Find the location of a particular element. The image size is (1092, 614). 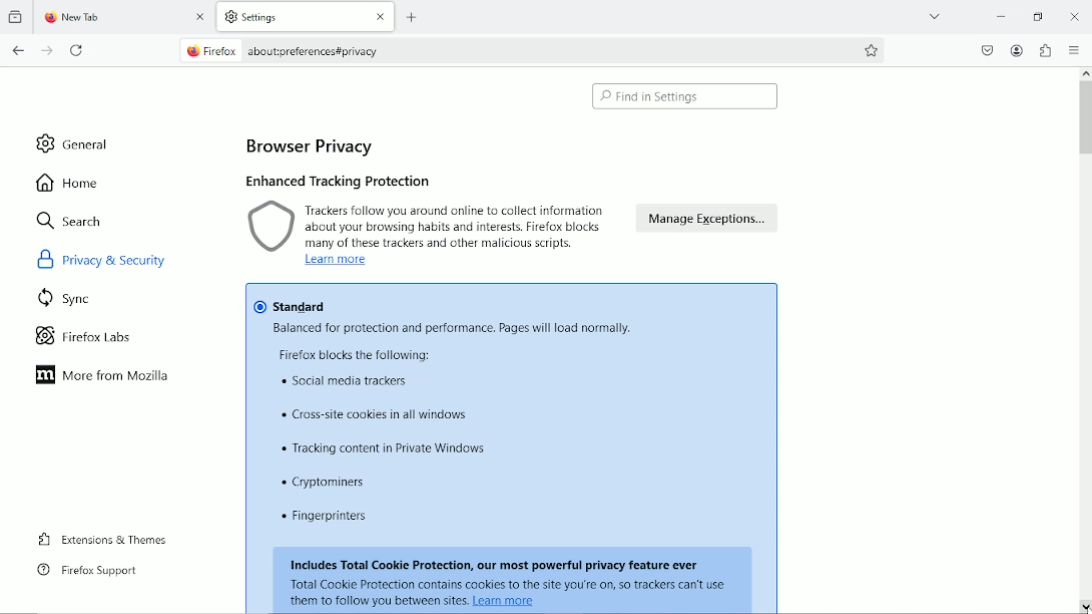

go back is located at coordinates (19, 50).